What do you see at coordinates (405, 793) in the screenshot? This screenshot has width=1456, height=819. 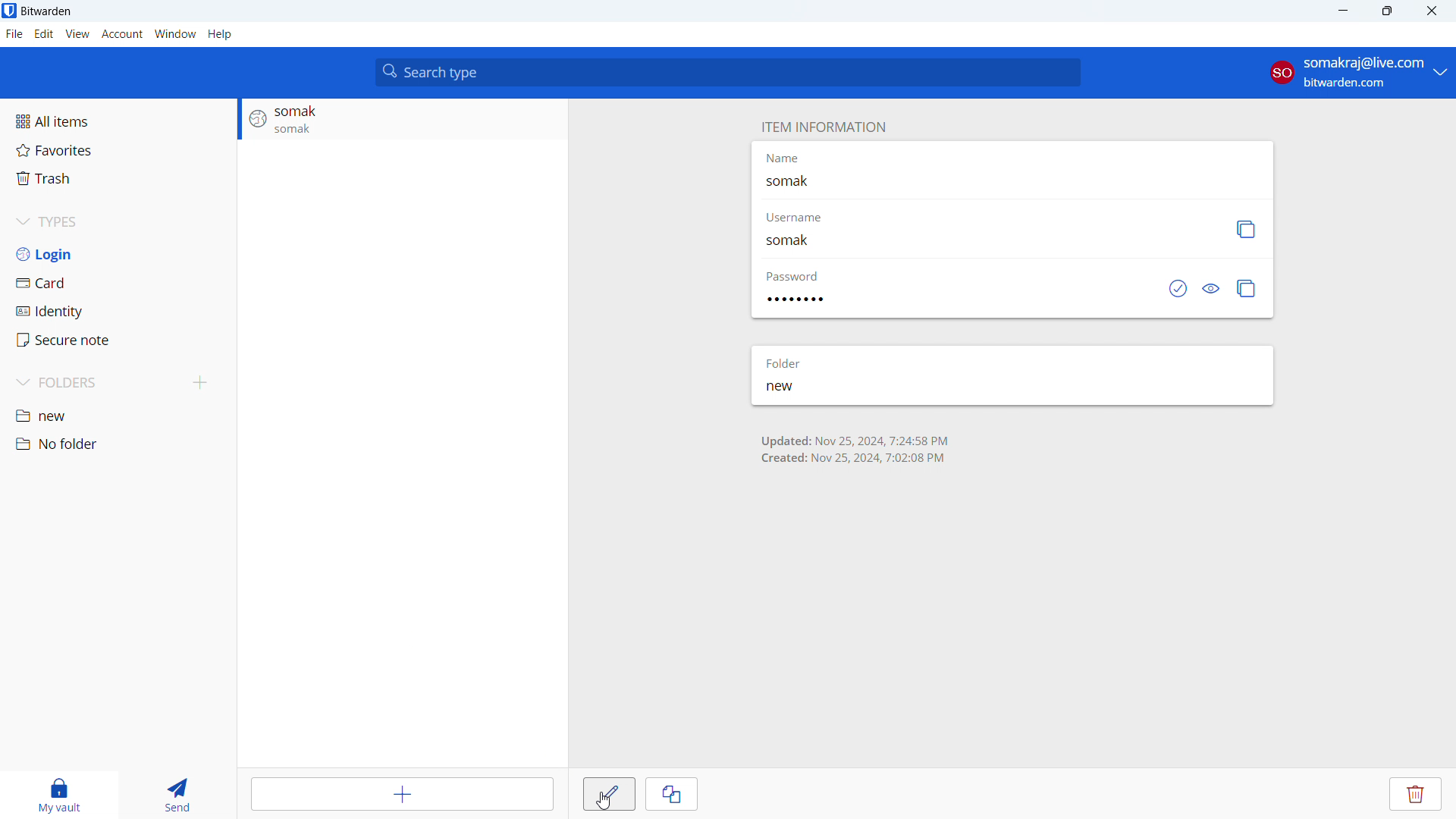 I see `add item` at bounding box center [405, 793].